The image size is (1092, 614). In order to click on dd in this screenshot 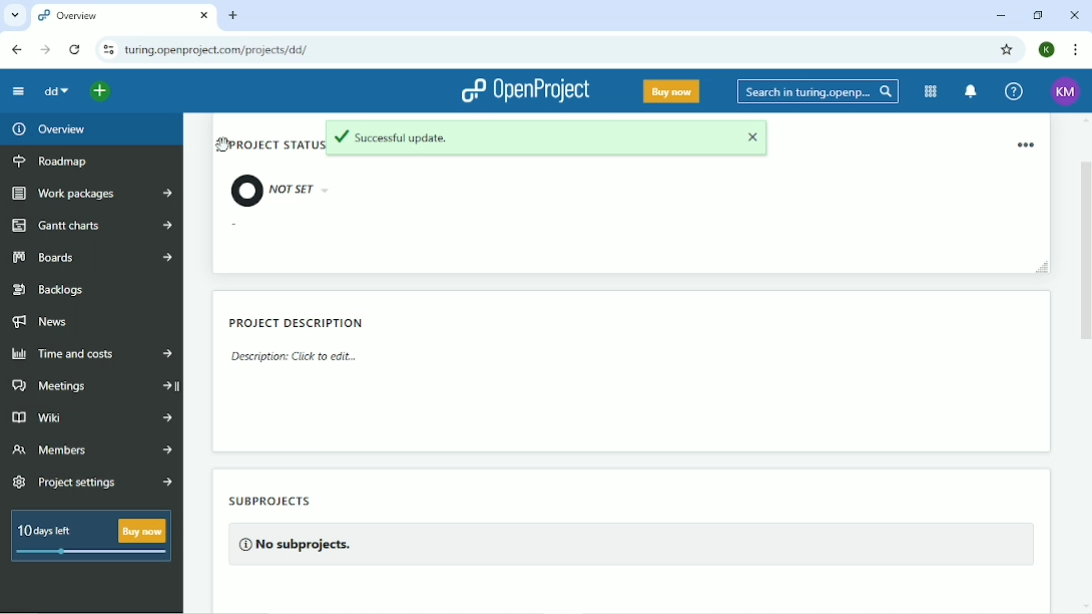, I will do `click(56, 92)`.